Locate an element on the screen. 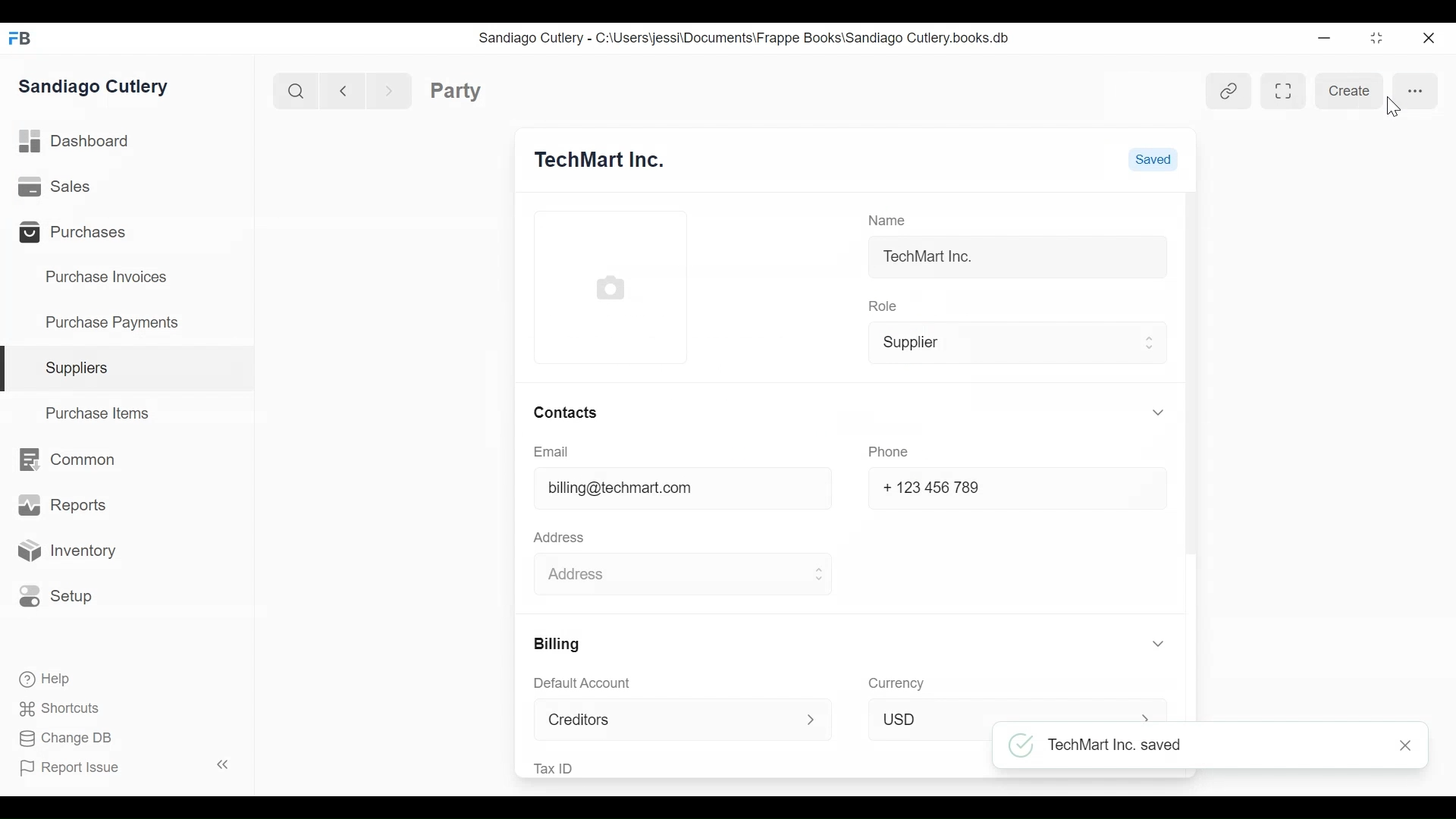 Image resolution: width=1456 pixels, height=819 pixels. Common is located at coordinates (77, 462).